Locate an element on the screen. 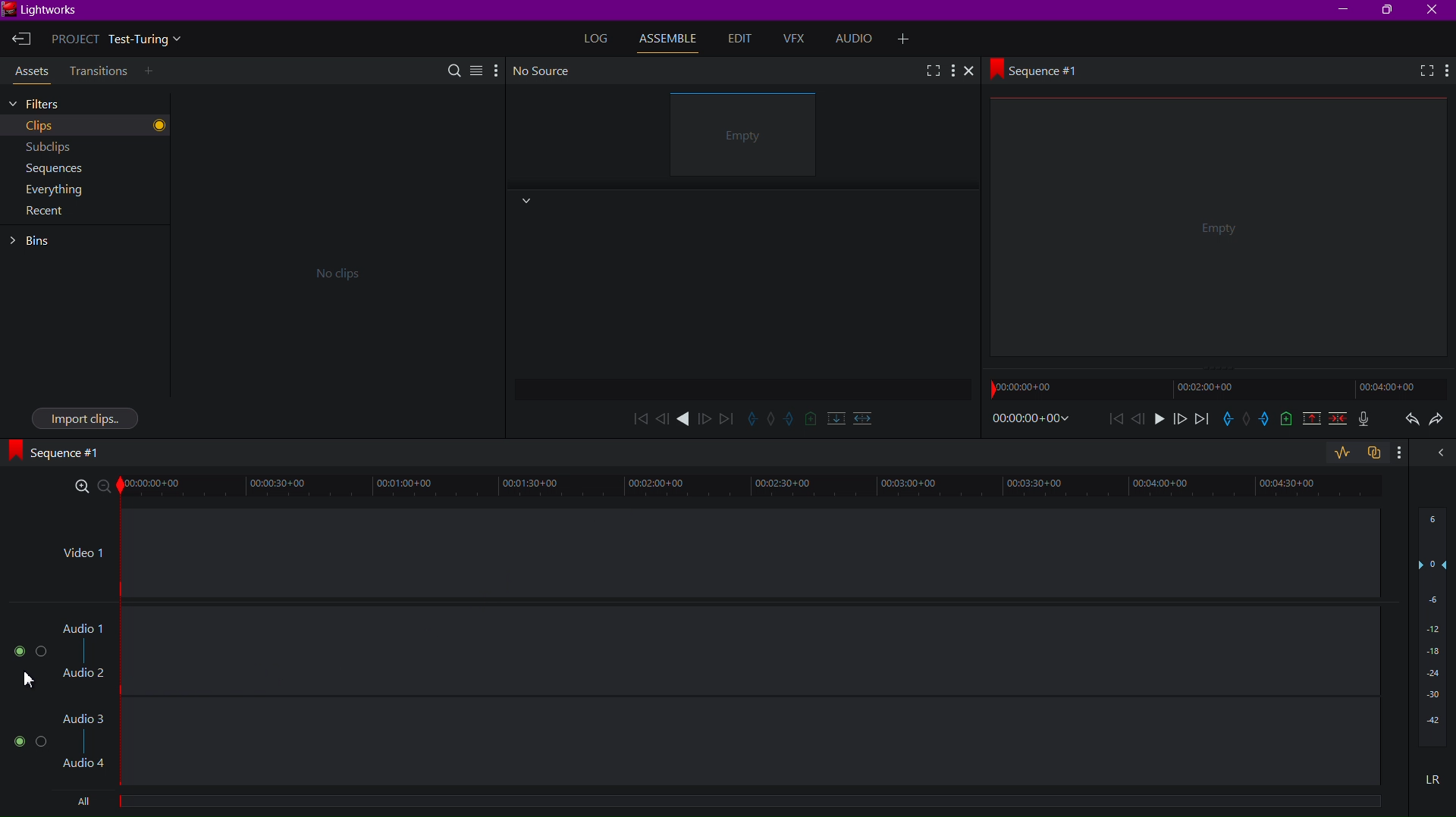  Sequence #1 is located at coordinates (1041, 69).